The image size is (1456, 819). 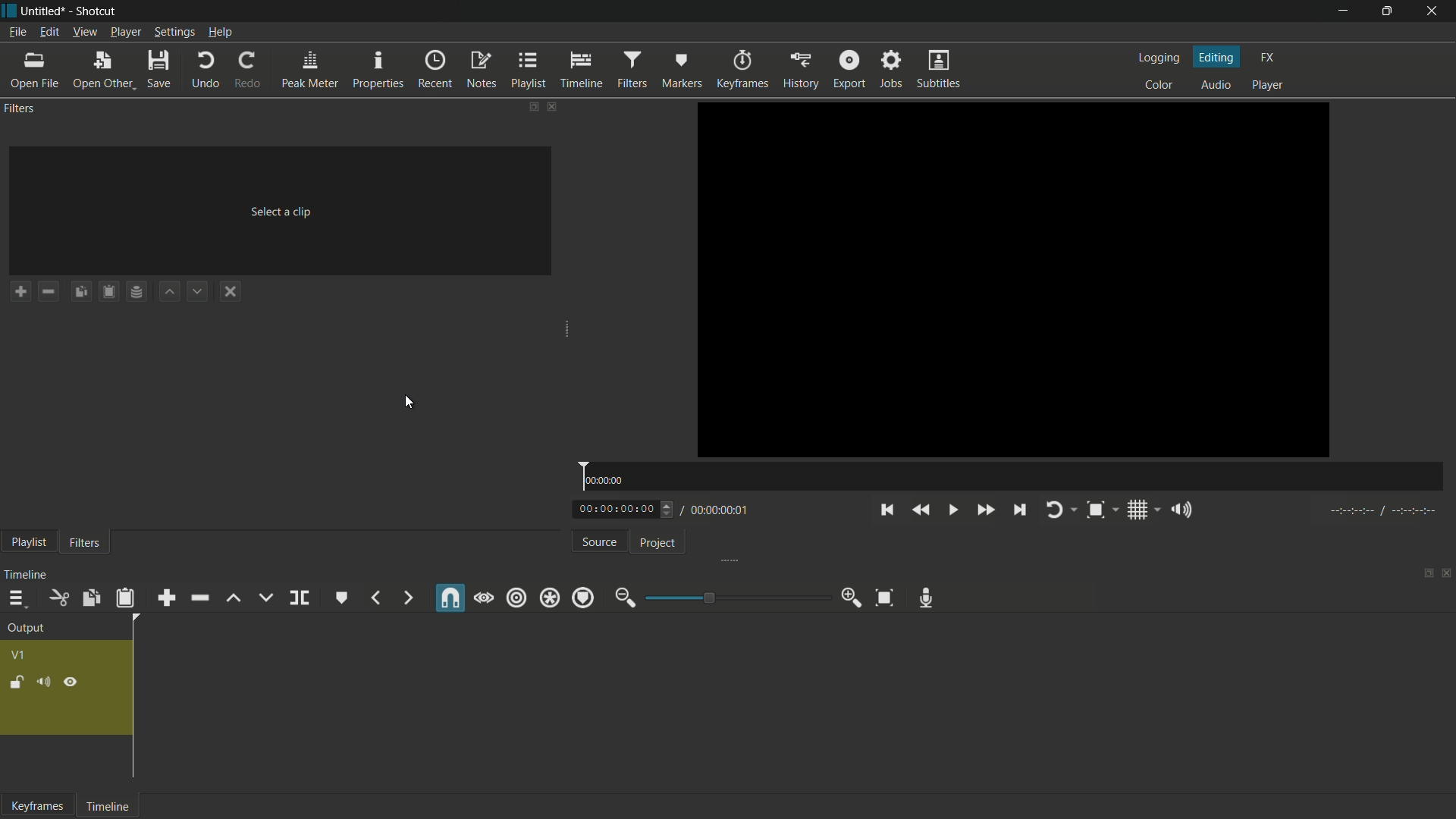 I want to click on paste, so click(x=124, y=598).